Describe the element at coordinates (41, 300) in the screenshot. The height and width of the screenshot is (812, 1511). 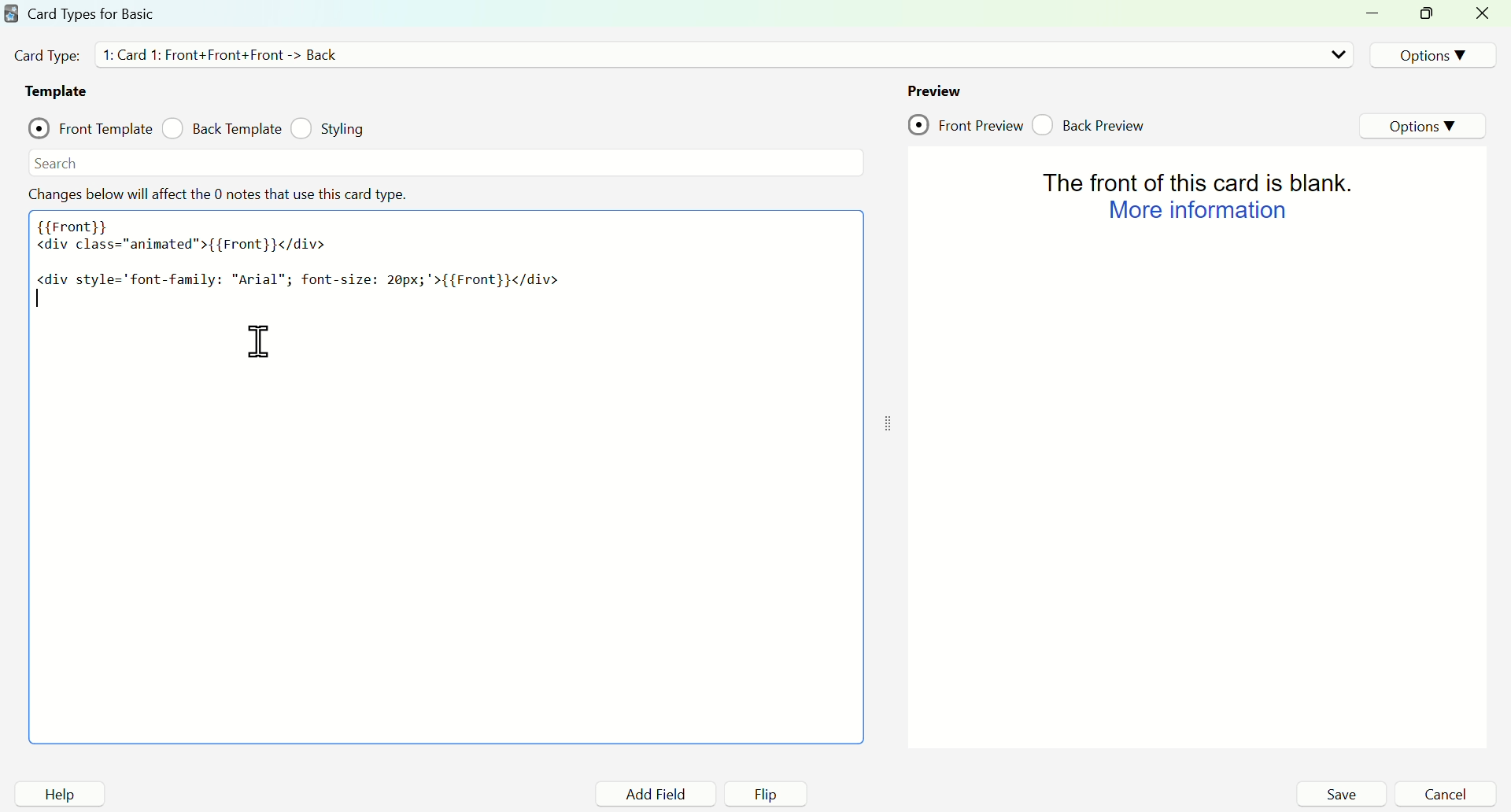
I see `typing cursor` at that location.